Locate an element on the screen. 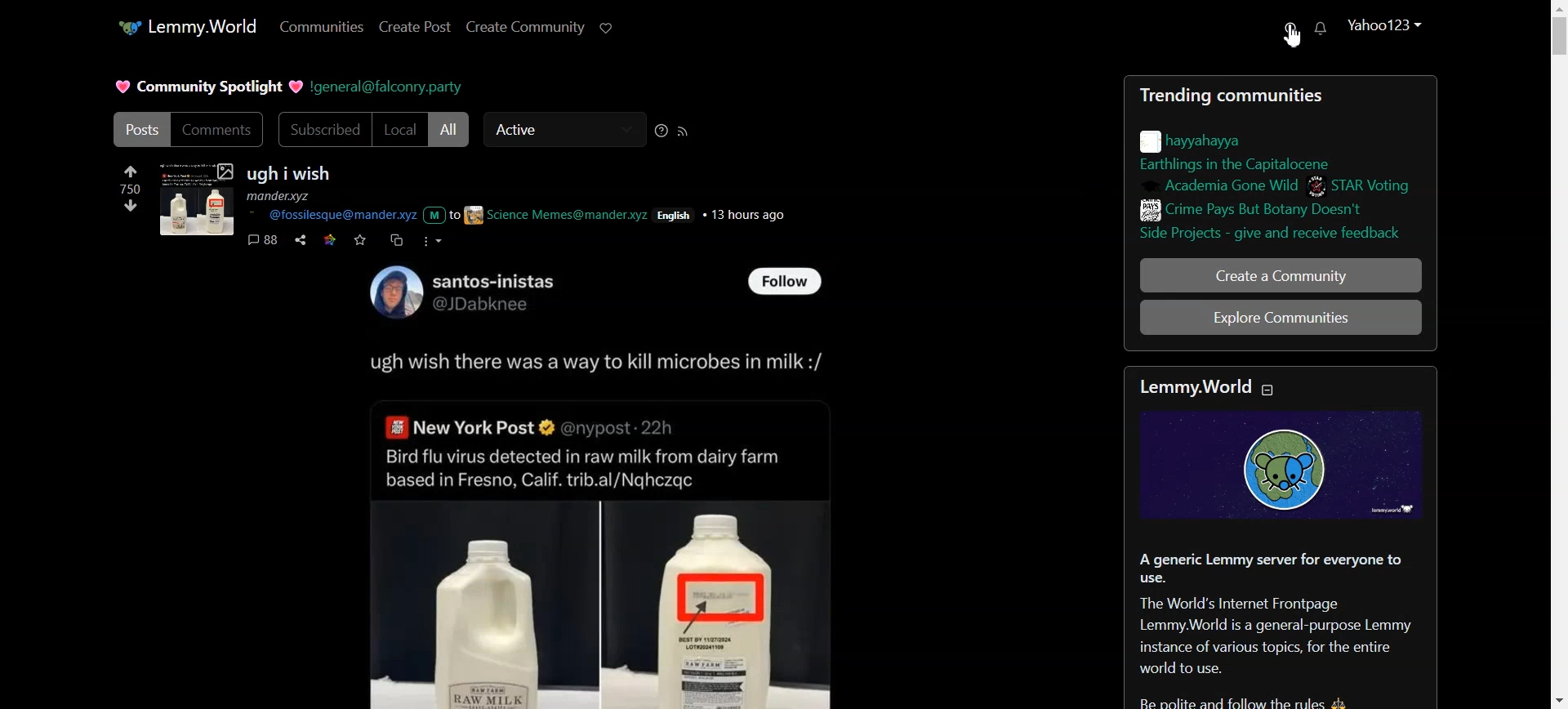 This screenshot has height=709, width=1568. Cursor is located at coordinates (1293, 35).